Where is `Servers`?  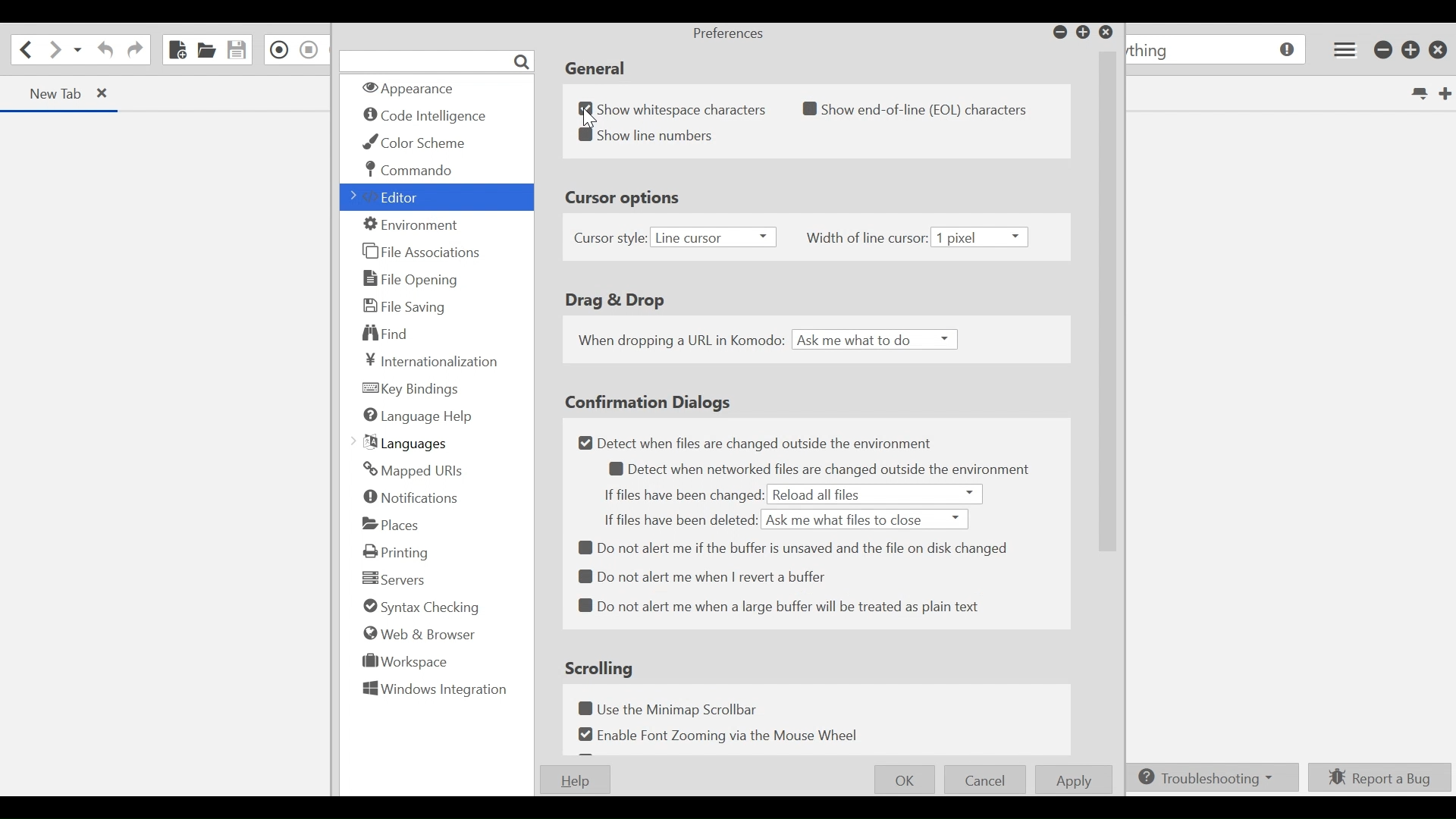 Servers is located at coordinates (391, 578).